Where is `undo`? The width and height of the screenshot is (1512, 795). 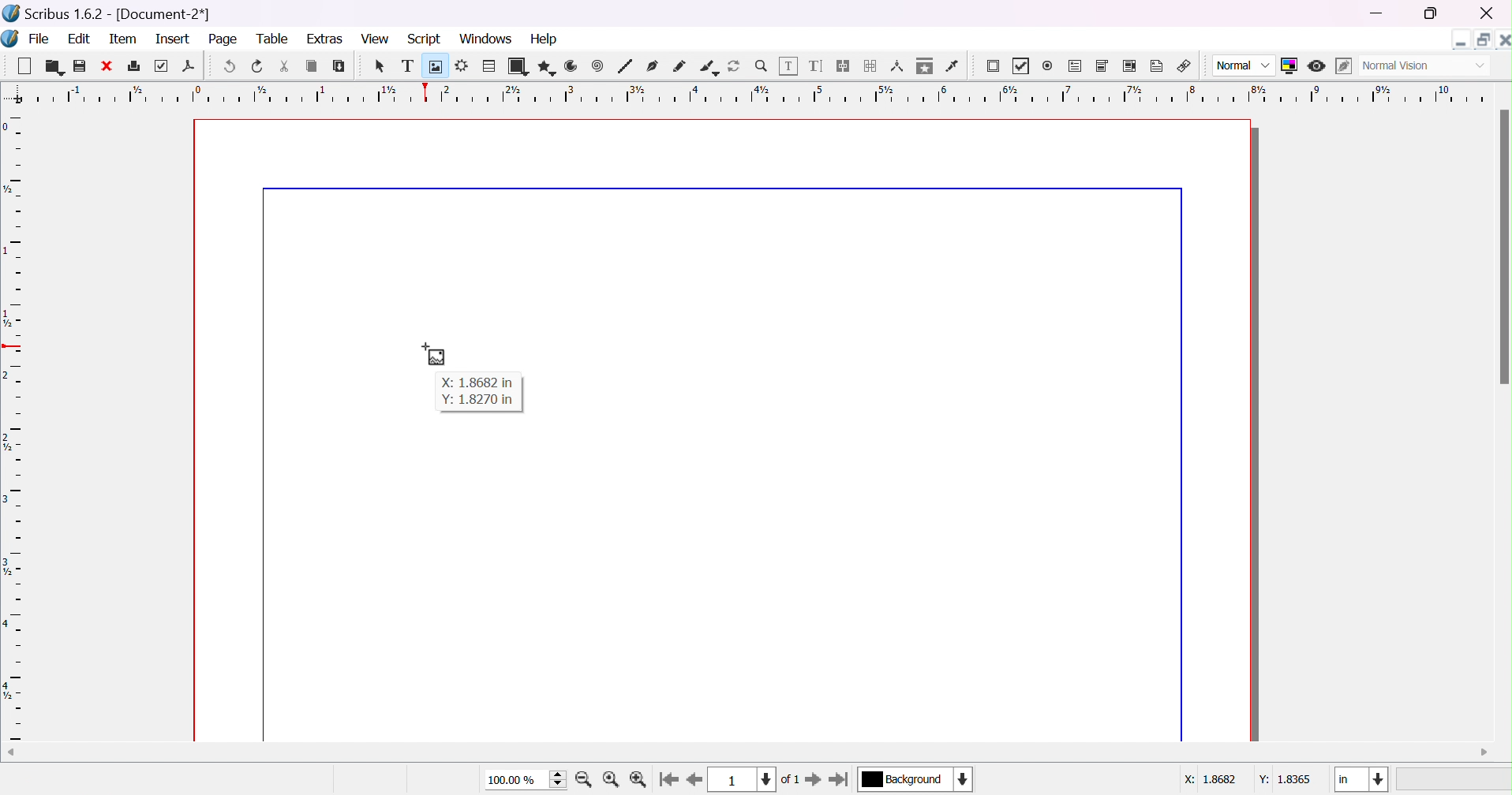
undo is located at coordinates (232, 67).